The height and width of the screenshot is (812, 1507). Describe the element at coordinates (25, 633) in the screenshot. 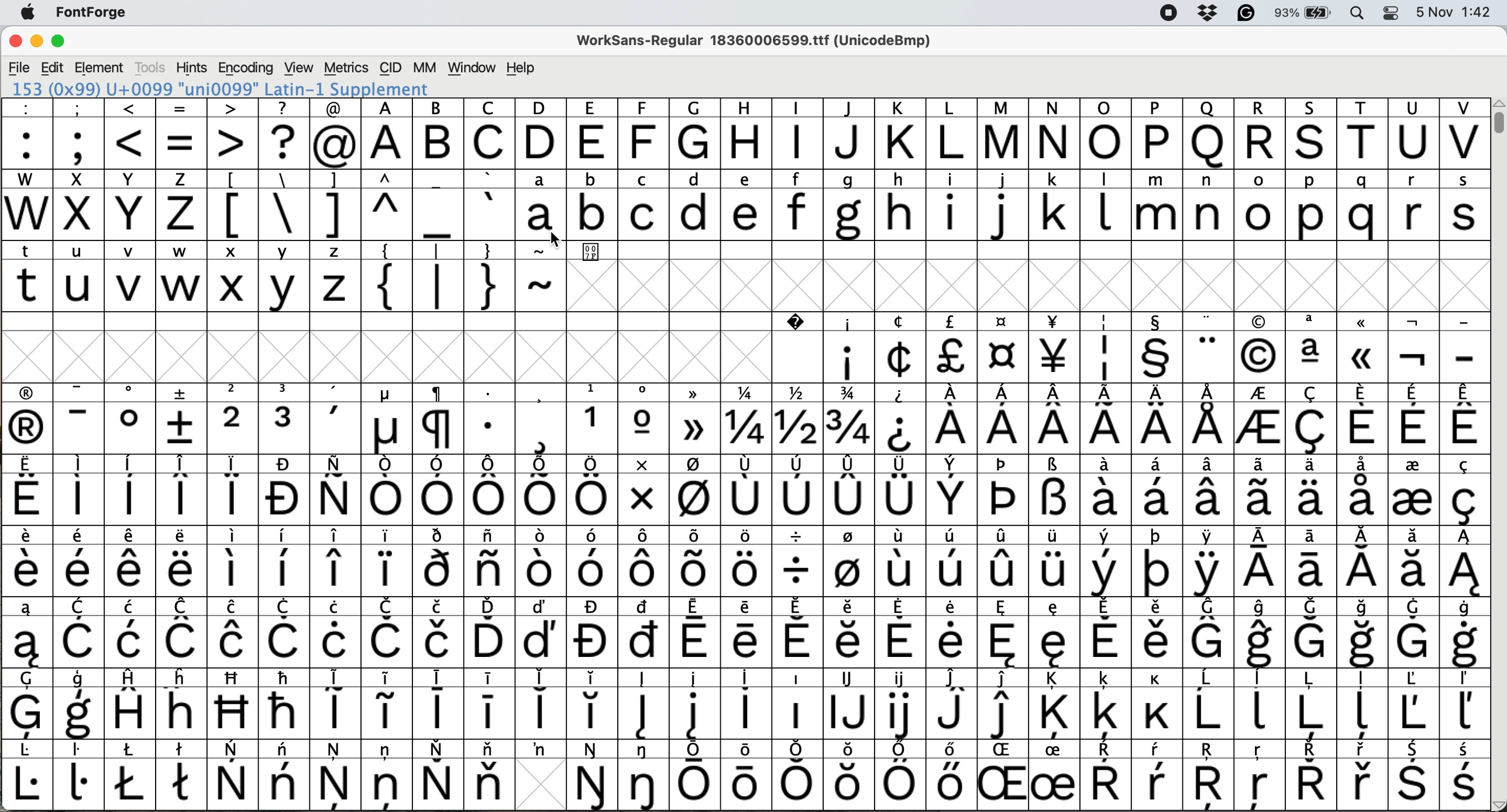

I see `symbol` at that location.